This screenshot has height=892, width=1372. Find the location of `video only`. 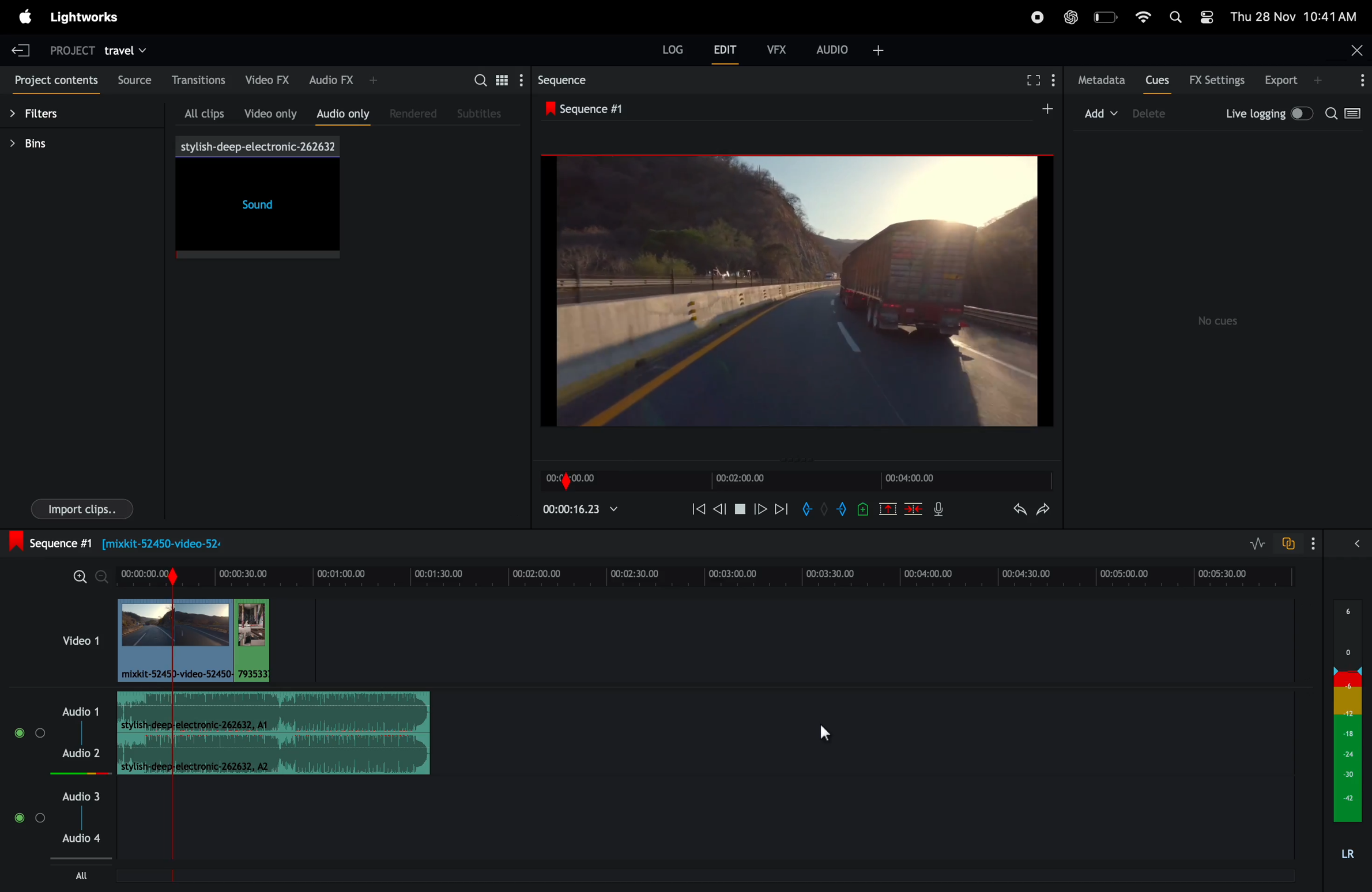

video only is located at coordinates (266, 111).